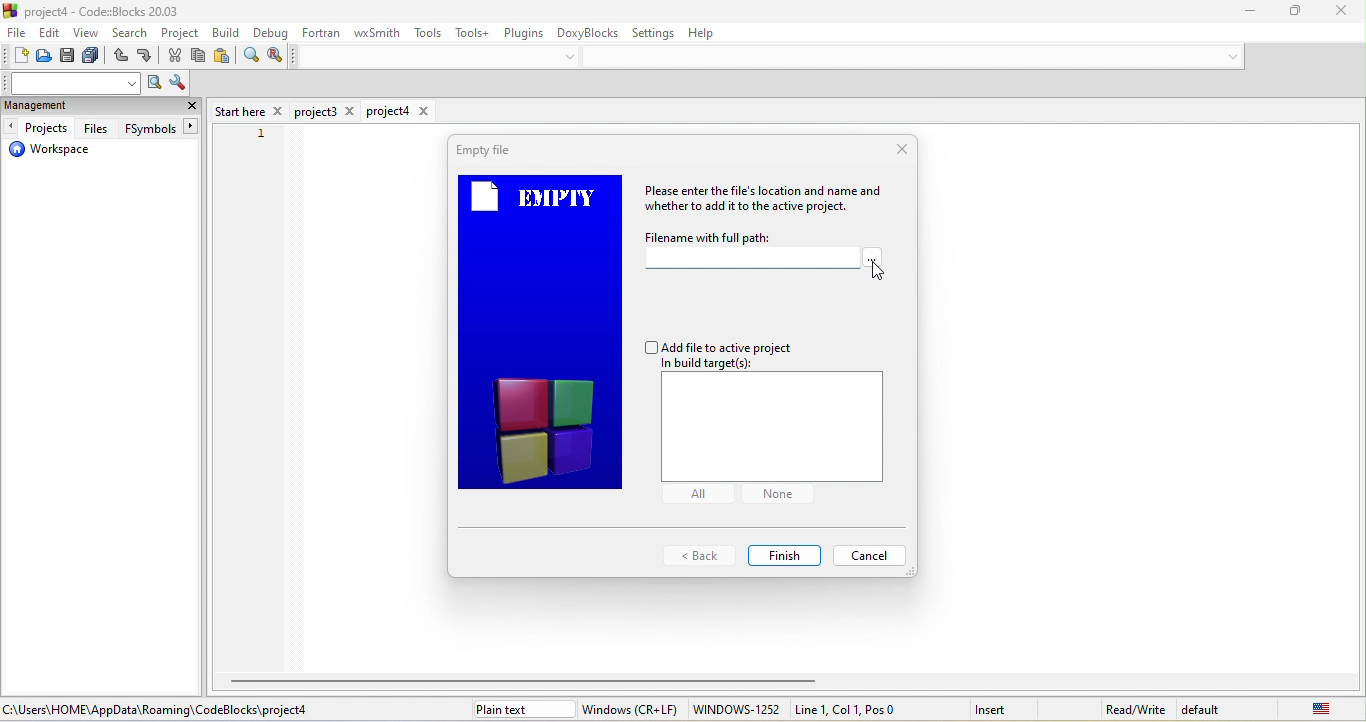  I want to click on start here, so click(249, 110).